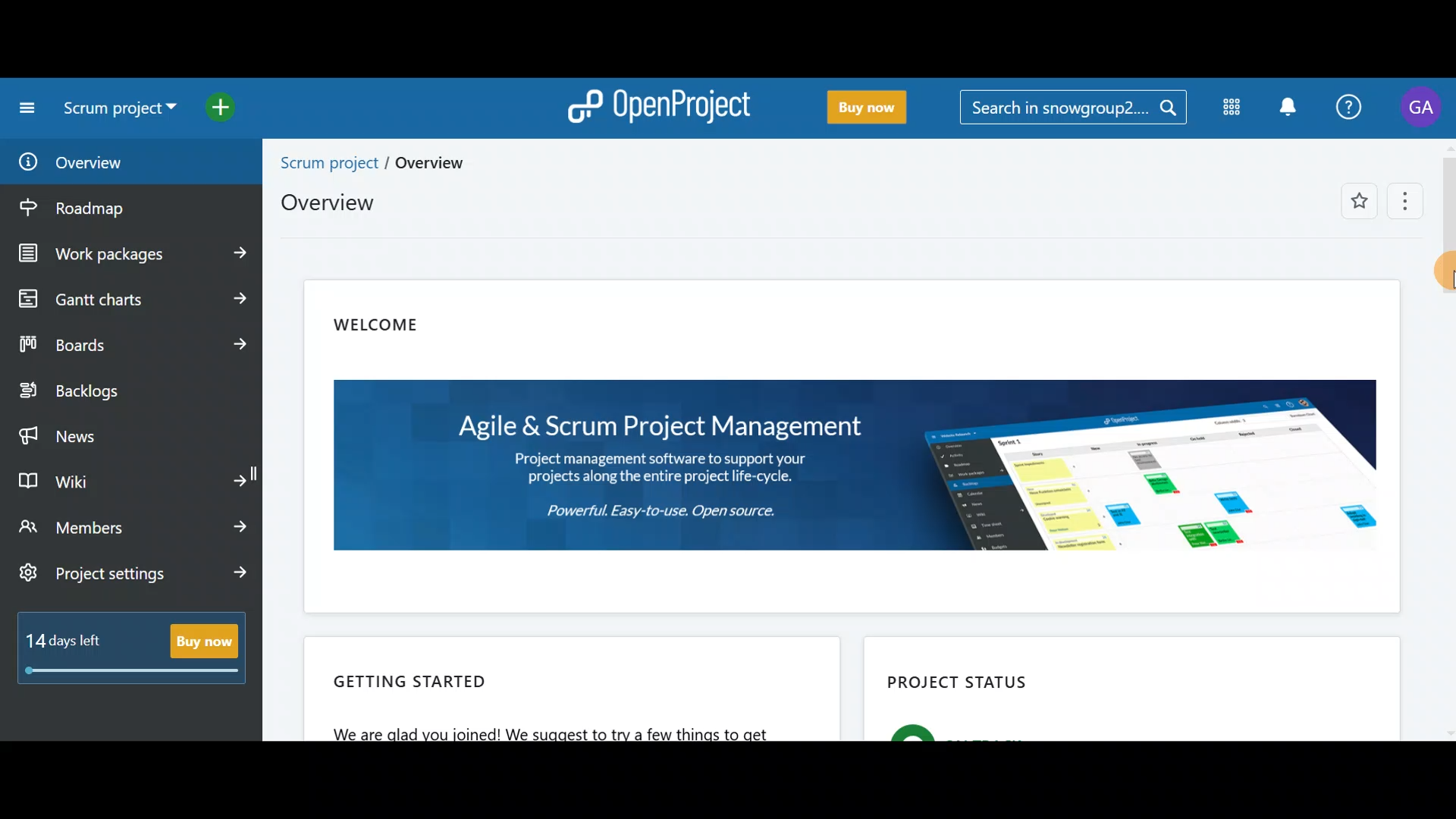 Image resolution: width=1456 pixels, height=819 pixels. Describe the element at coordinates (570, 693) in the screenshot. I see `Getting started` at that location.